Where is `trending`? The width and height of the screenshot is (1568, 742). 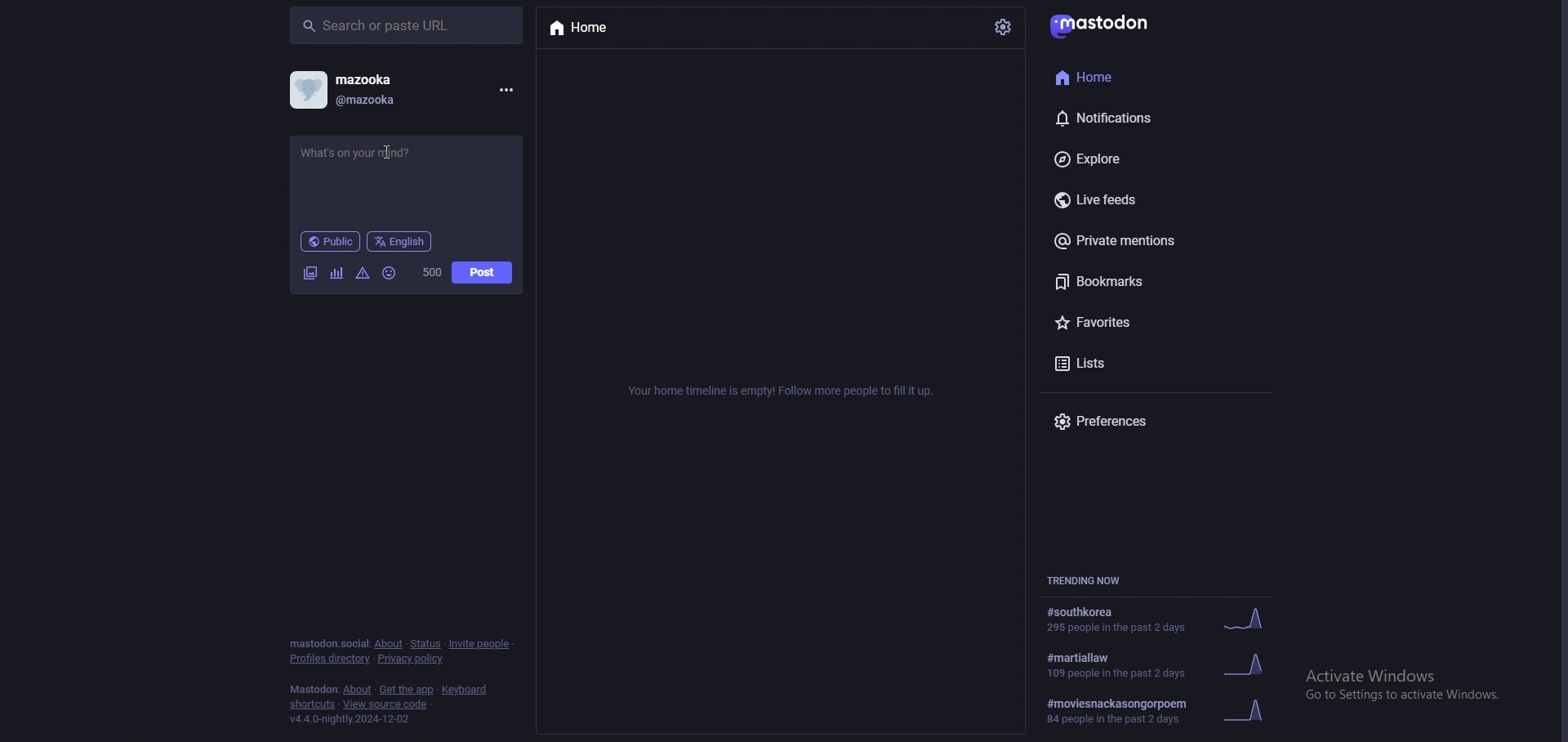 trending is located at coordinates (1169, 711).